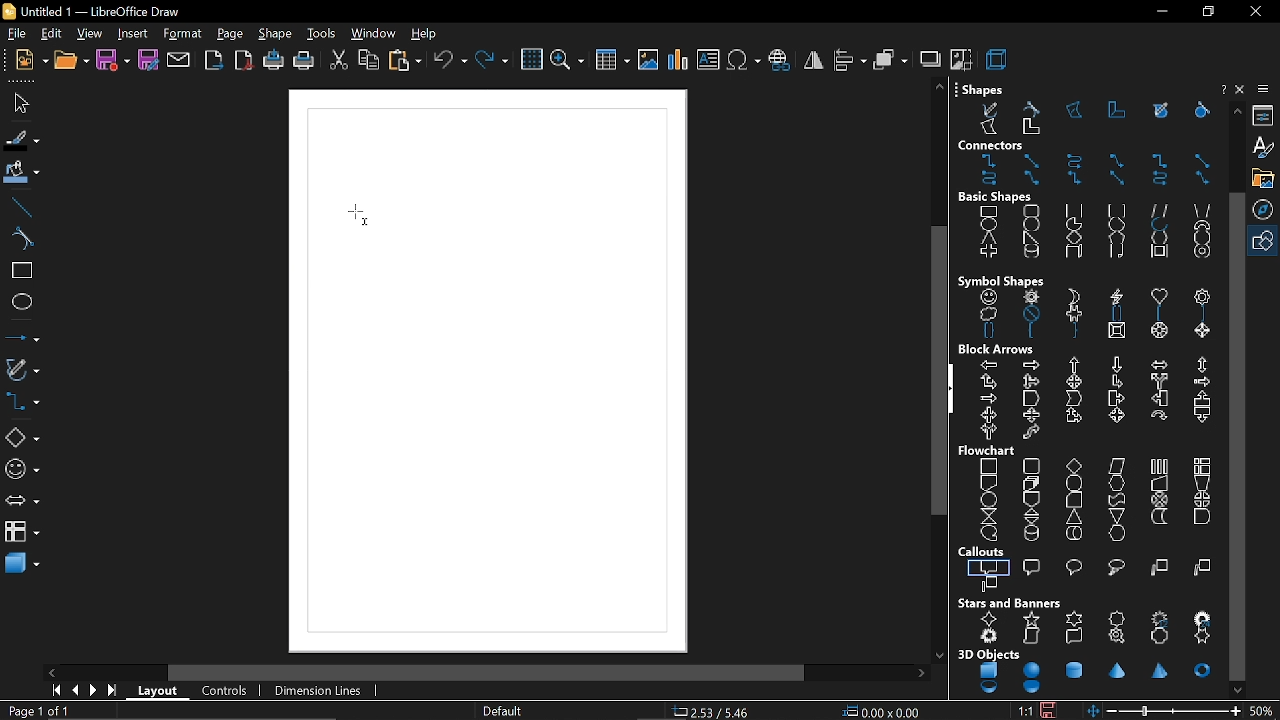 This screenshot has height=720, width=1280. What do you see at coordinates (19, 205) in the screenshot?
I see `line` at bounding box center [19, 205].